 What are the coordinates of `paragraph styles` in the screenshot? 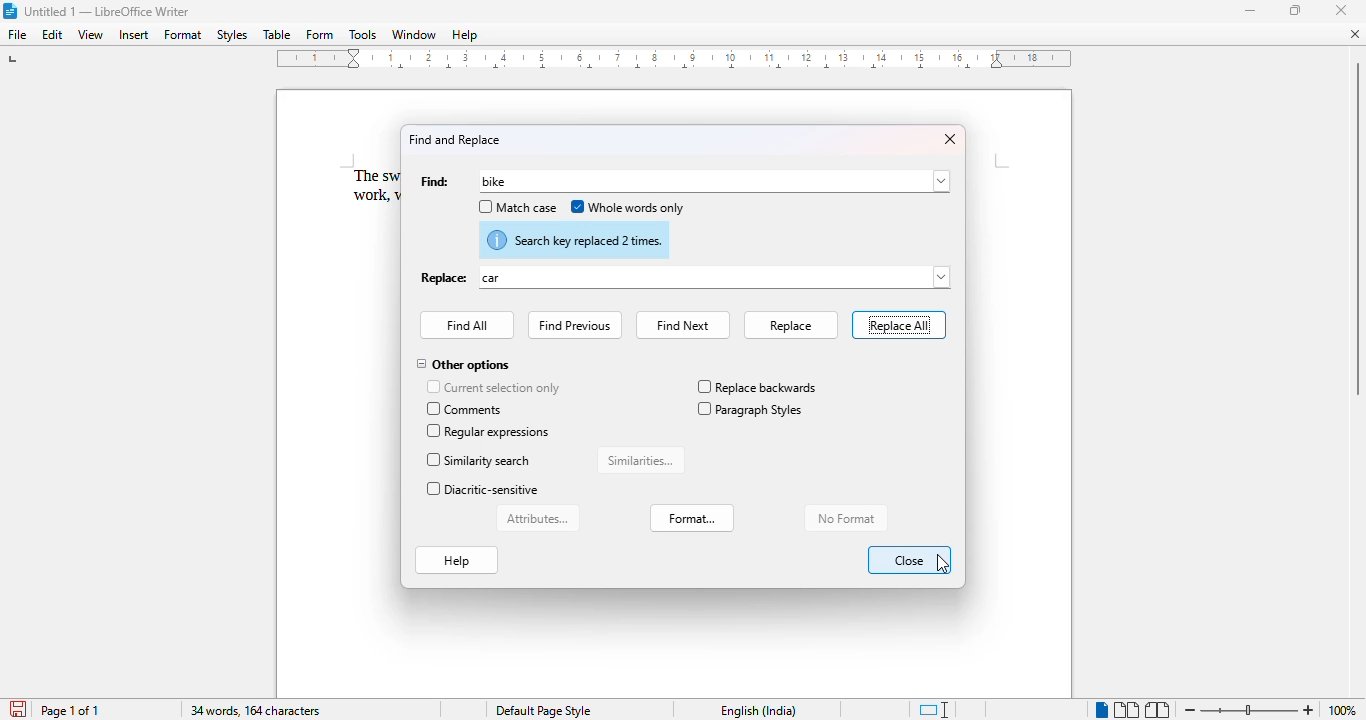 It's located at (750, 408).